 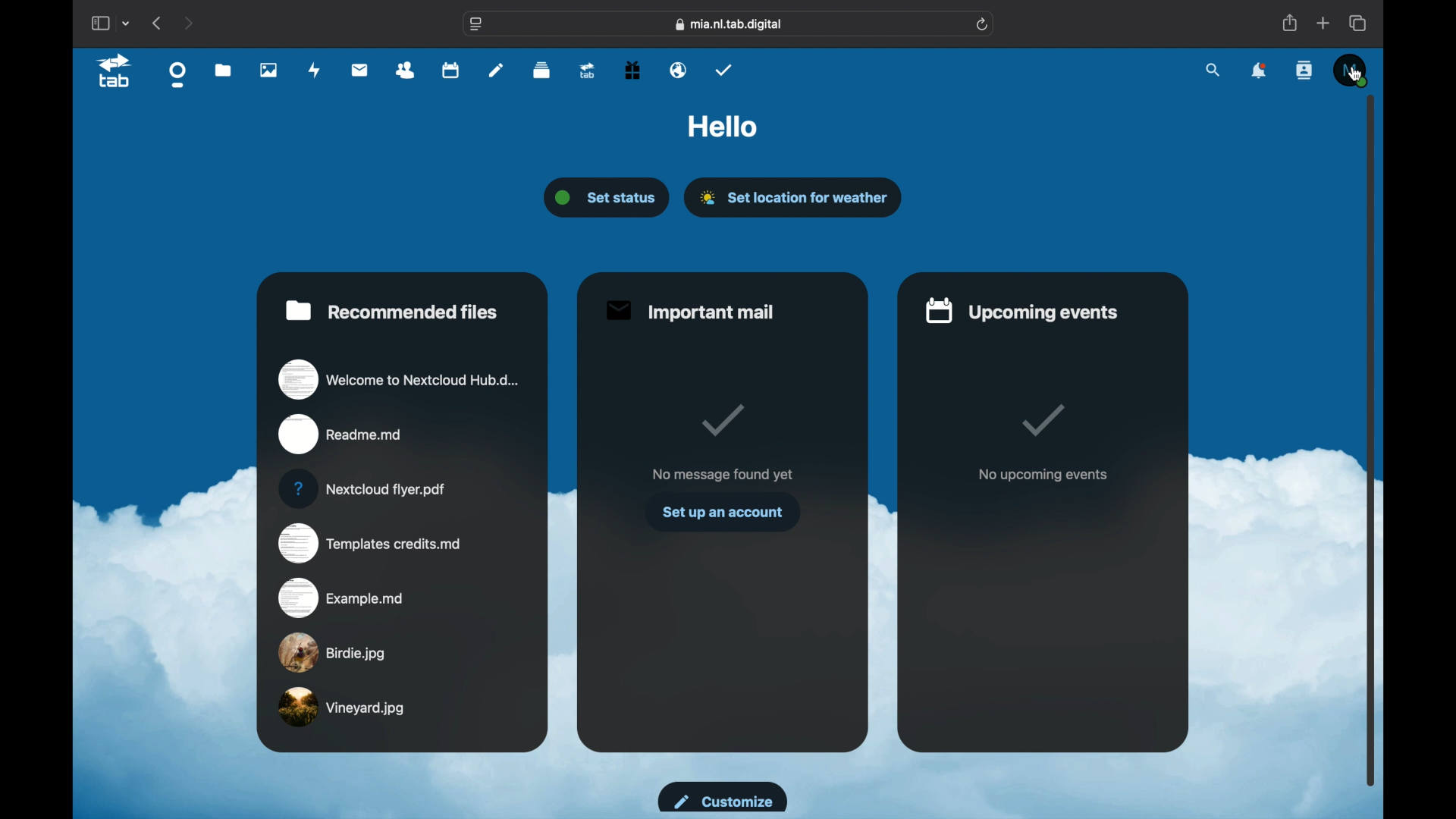 What do you see at coordinates (224, 71) in the screenshot?
I see `files` at bounding box center [224, 71].